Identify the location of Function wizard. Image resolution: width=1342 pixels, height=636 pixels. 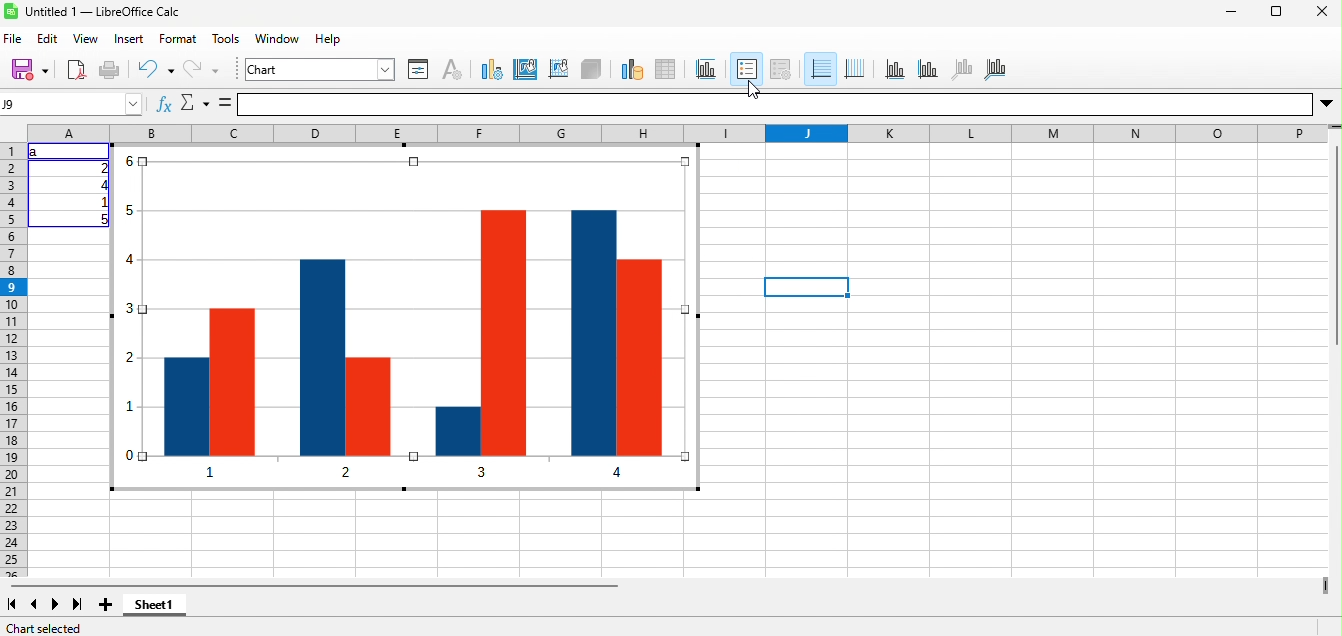
(164, 103).